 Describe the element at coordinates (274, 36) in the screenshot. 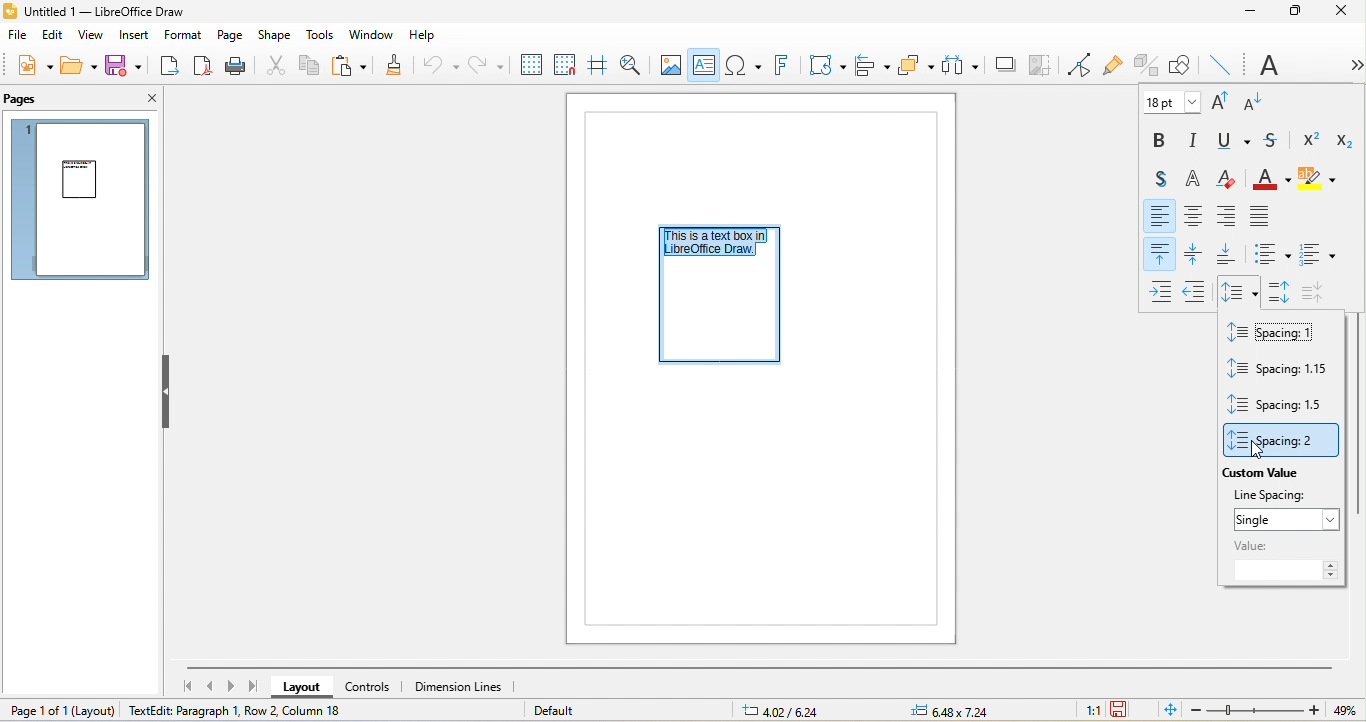

I see `shape` at that location.